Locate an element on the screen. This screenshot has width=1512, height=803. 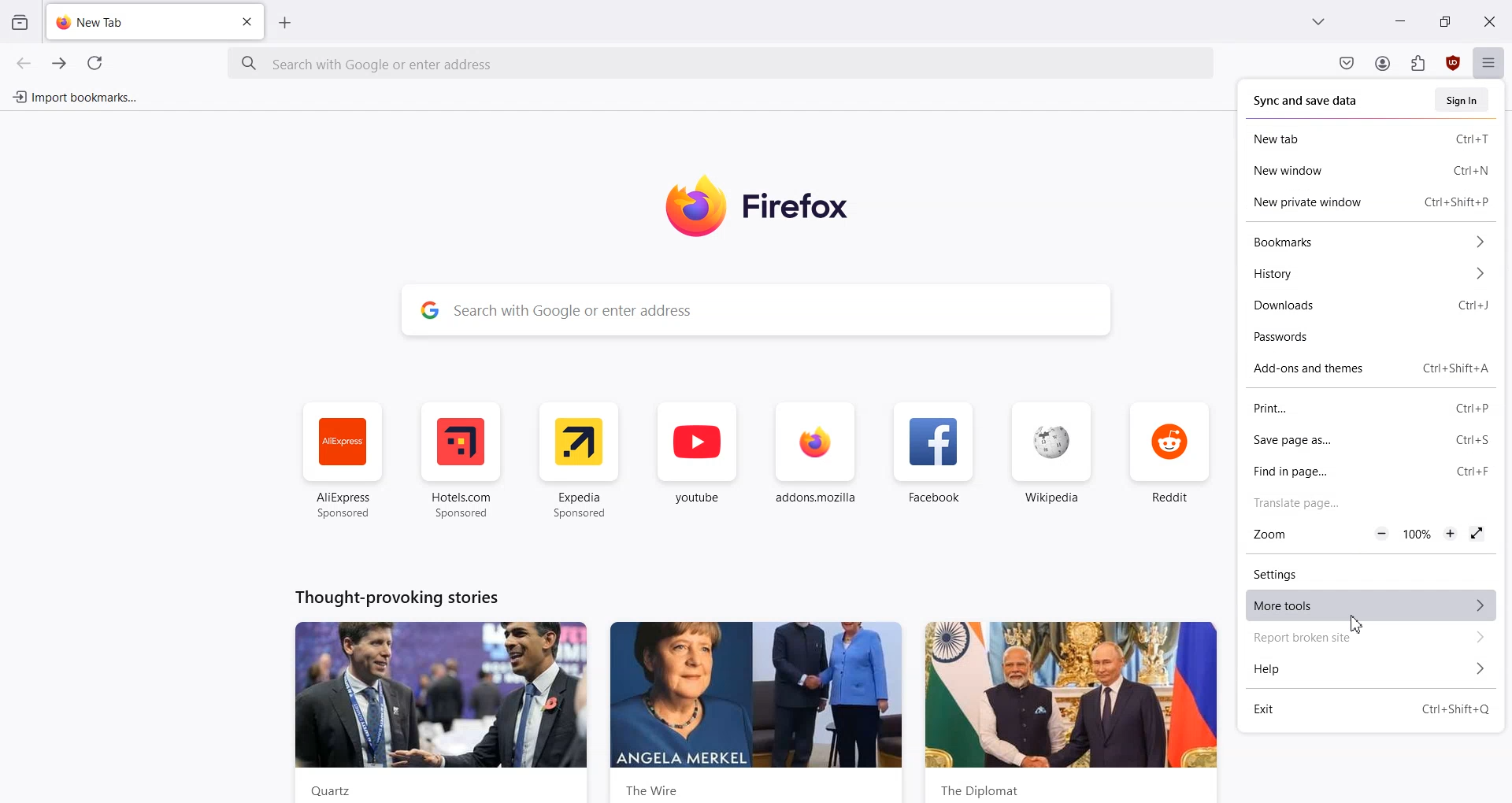
Shortcut key is located at coordinates (1471, 170).